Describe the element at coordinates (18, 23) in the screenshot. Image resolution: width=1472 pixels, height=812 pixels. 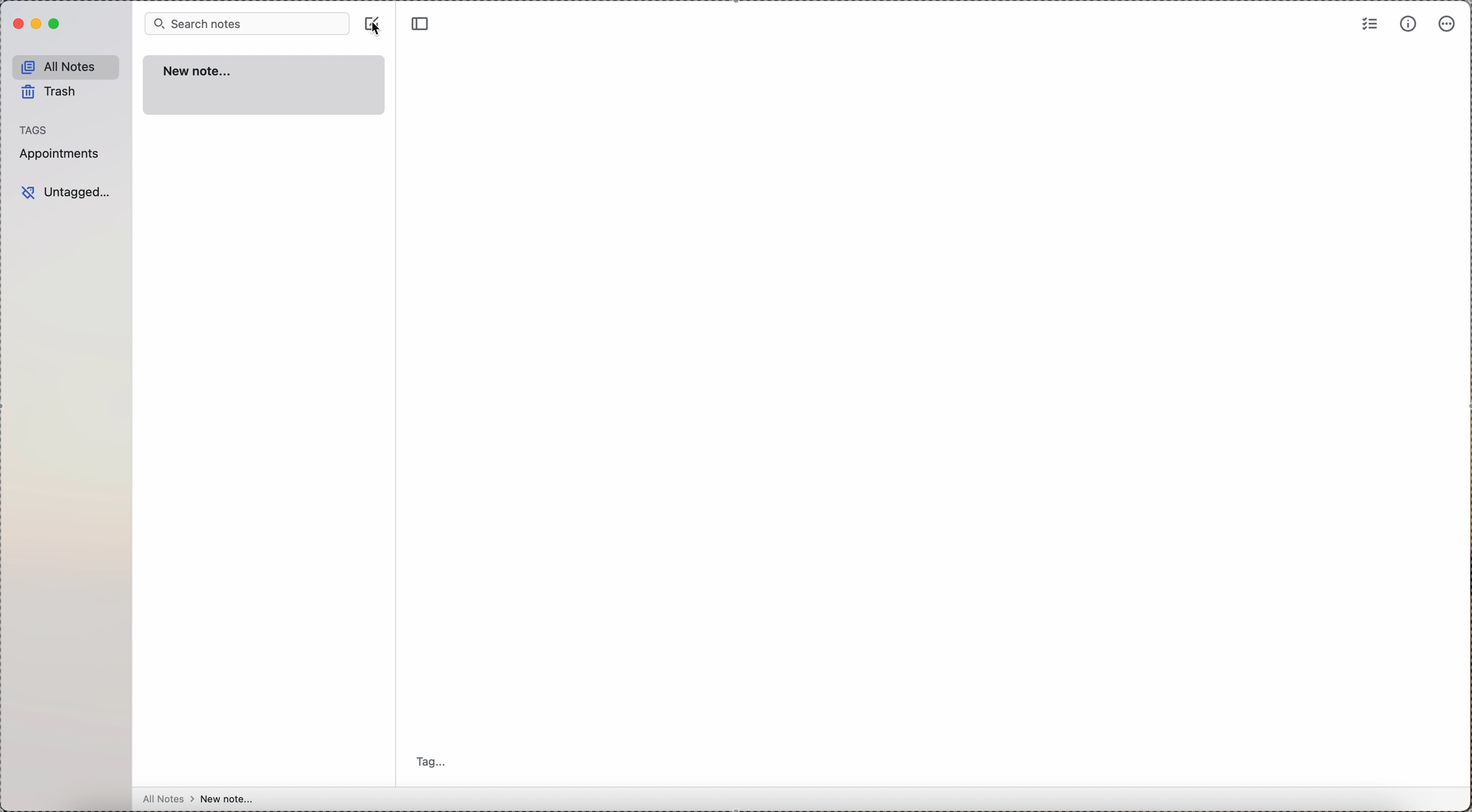
I see `close Simplenote` at that location.